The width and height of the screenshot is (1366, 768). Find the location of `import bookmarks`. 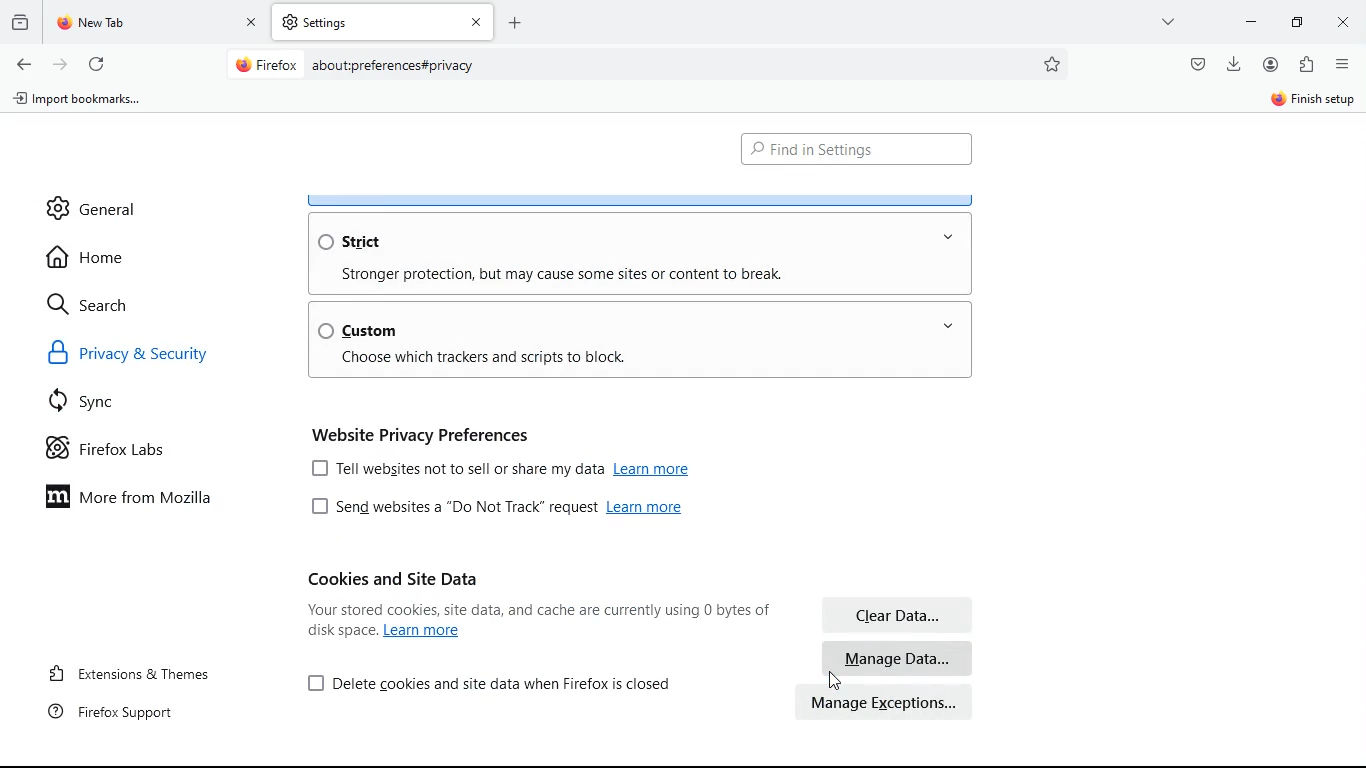

import bookmarks is located at coordinates (84, 103).